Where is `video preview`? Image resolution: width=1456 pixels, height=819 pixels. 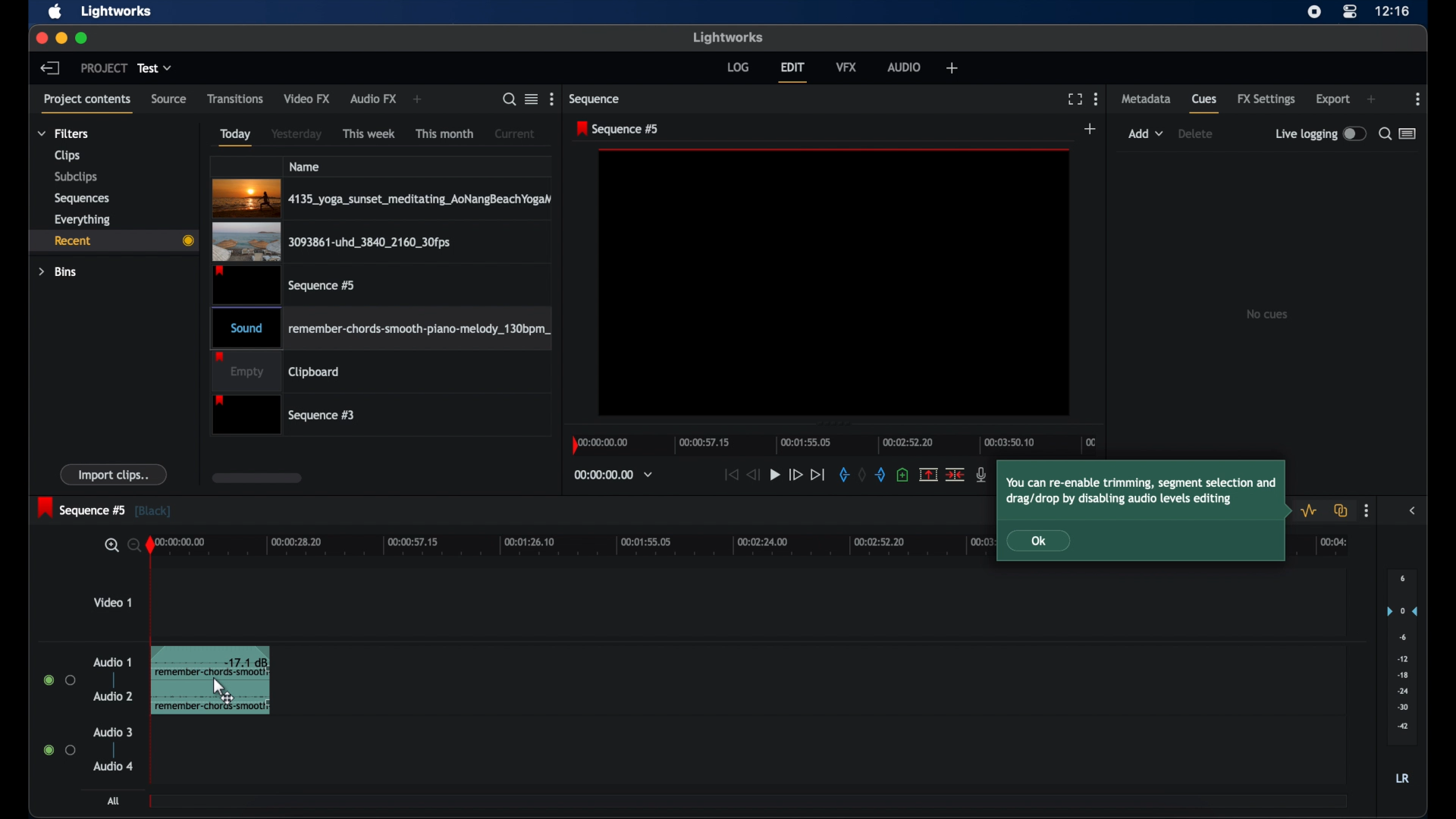
video preview is located at coordinates (834, 283).